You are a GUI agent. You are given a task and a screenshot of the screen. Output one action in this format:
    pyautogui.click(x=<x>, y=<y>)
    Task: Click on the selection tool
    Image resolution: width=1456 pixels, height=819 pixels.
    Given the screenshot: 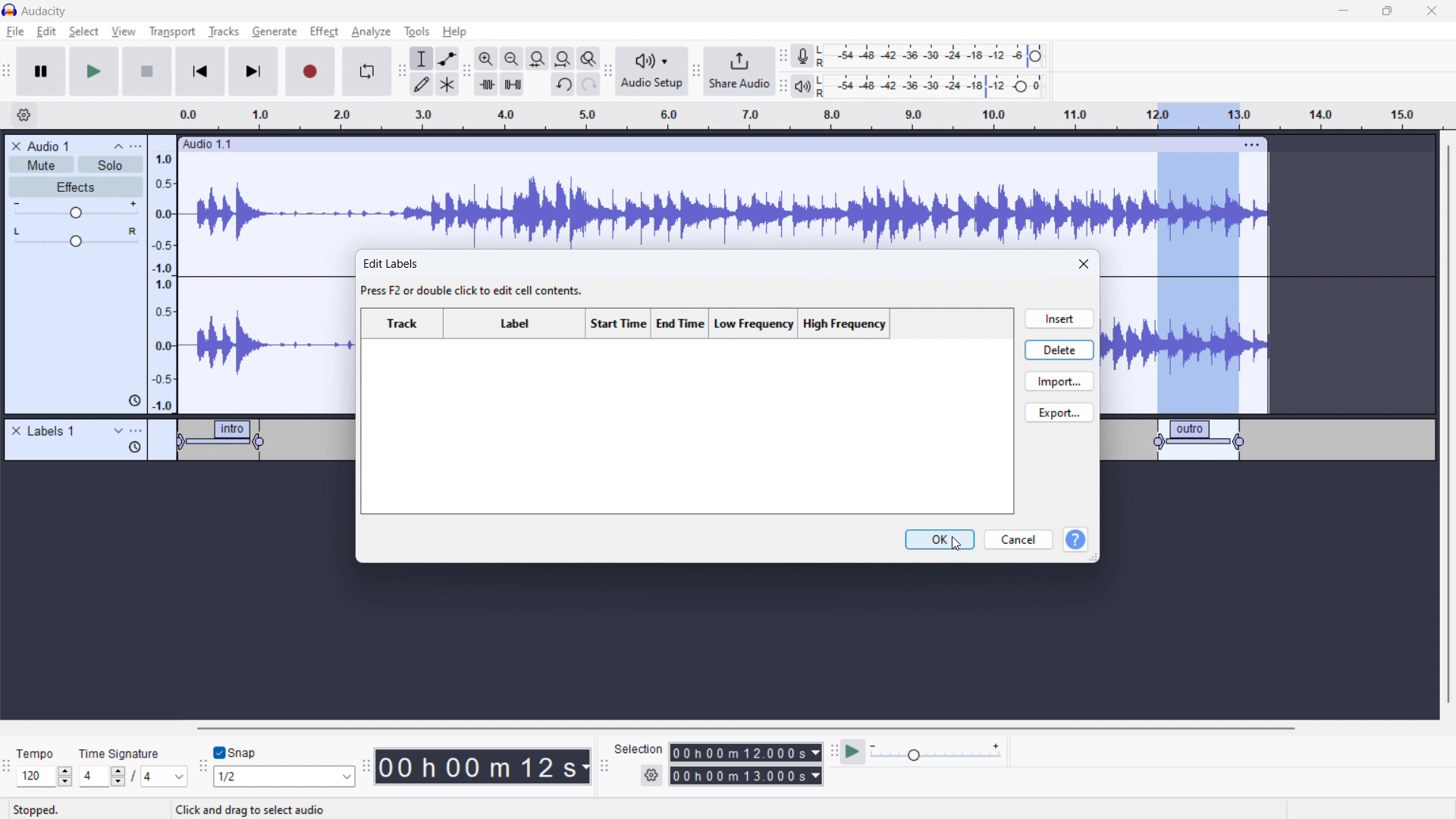 What is the action you would take?
    pyautogui.click(x=422, y=58)
    